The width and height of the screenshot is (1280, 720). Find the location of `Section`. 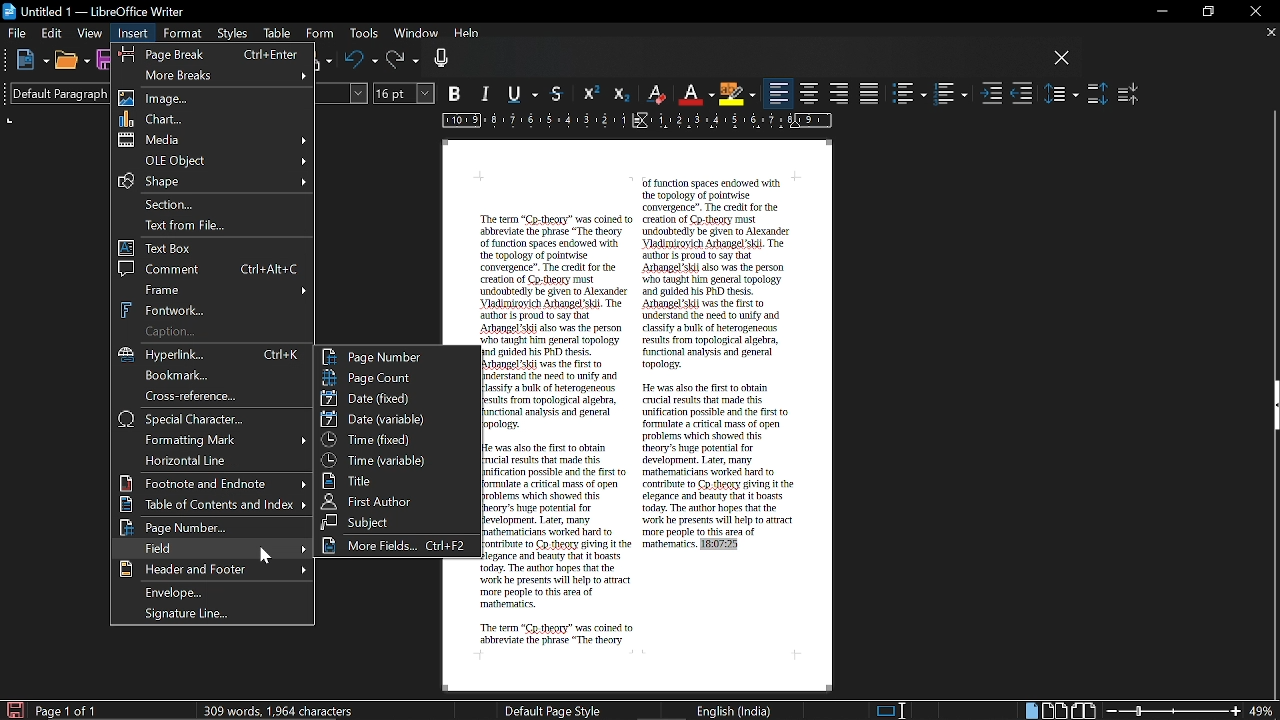

Section is located at coordinates (216, 203).